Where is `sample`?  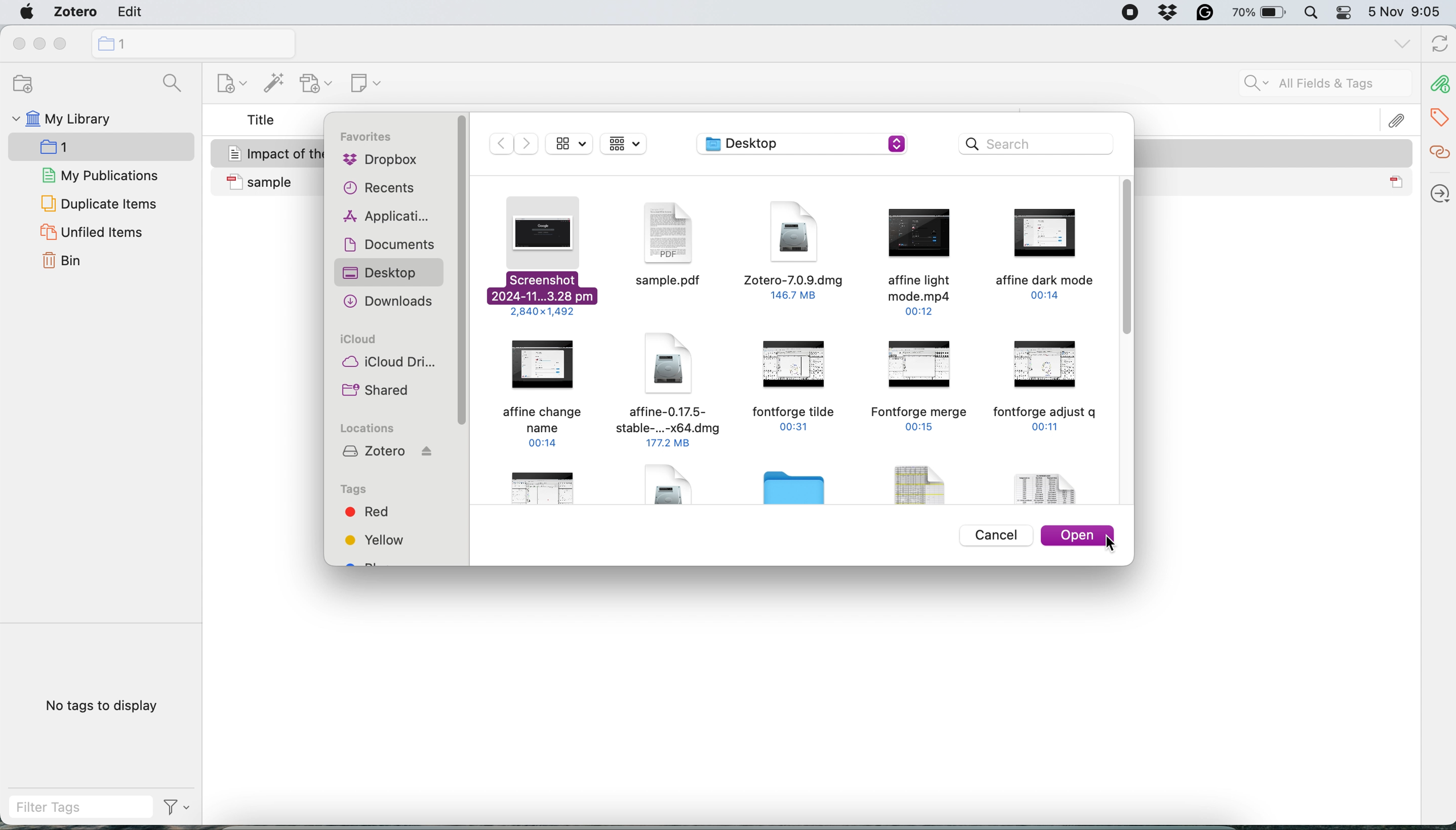
sample is located at coordinates (1276, 182).